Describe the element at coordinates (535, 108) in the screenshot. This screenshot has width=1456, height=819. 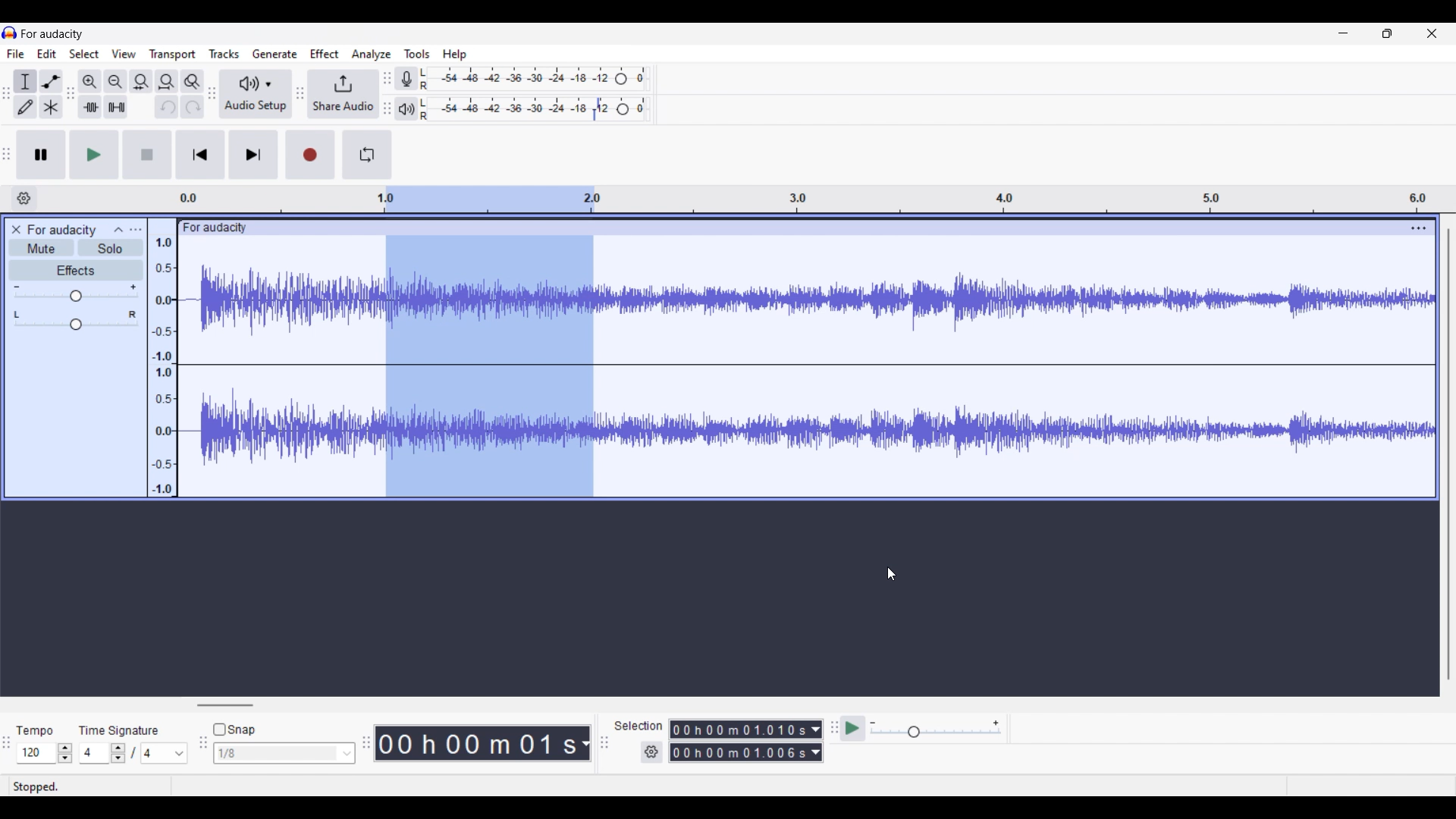
I see `Playback level` at that location.